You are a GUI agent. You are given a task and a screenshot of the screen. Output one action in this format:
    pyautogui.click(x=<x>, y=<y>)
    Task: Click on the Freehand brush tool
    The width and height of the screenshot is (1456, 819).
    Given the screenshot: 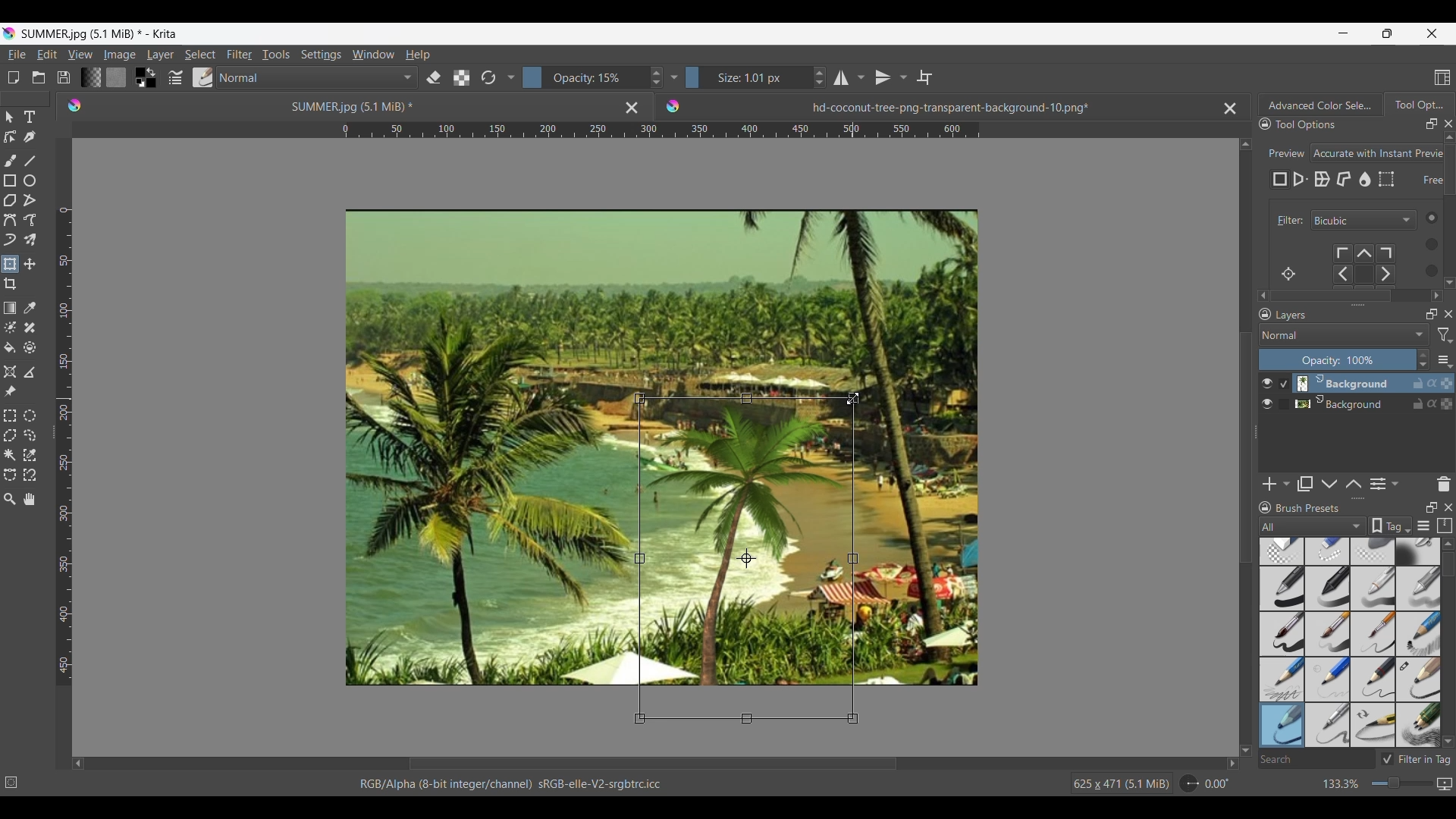 What is the action you would take?
    pyautogui.click(x=10, y=160)
    